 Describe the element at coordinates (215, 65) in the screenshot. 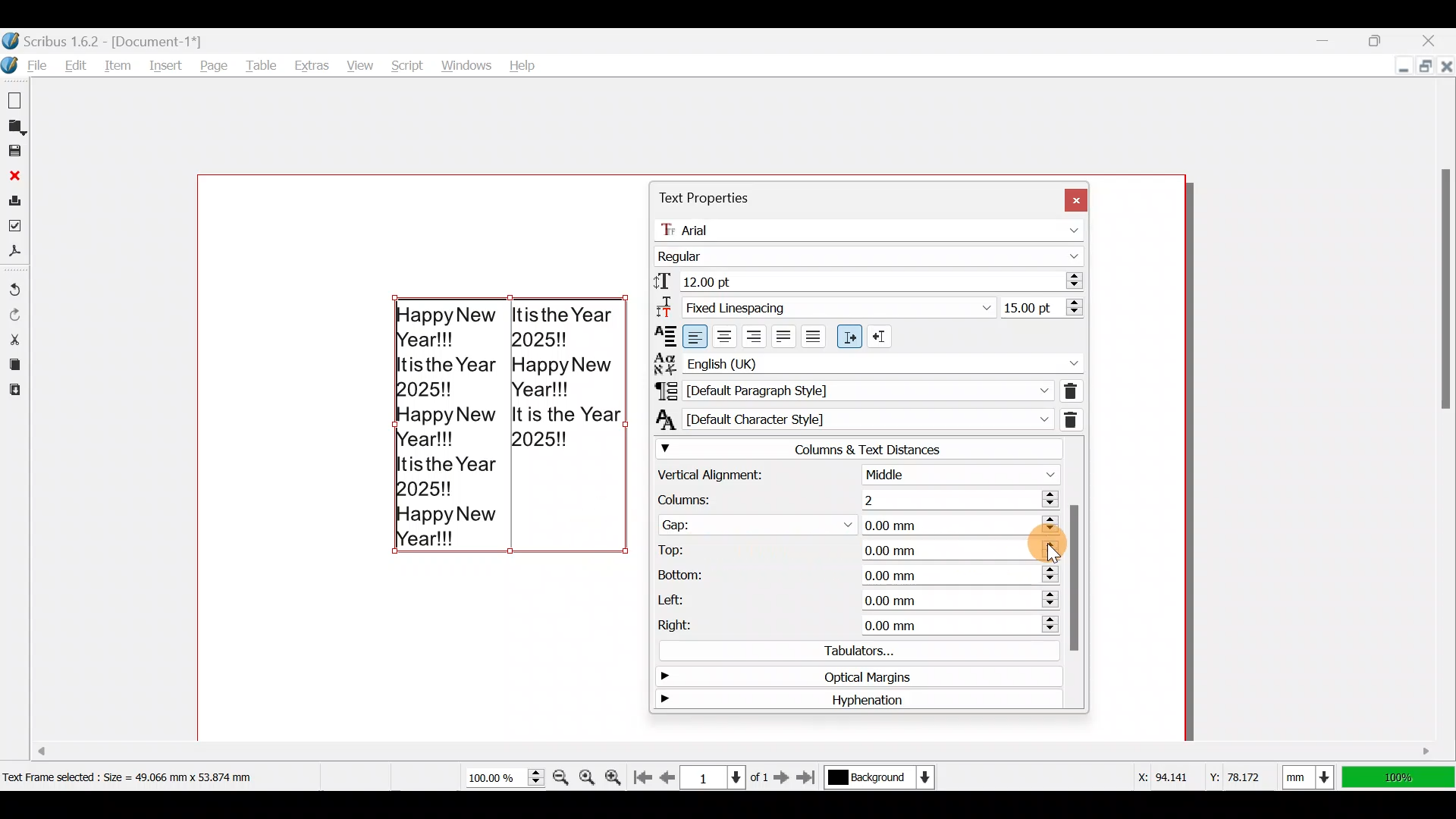

I see `Page` at that location.